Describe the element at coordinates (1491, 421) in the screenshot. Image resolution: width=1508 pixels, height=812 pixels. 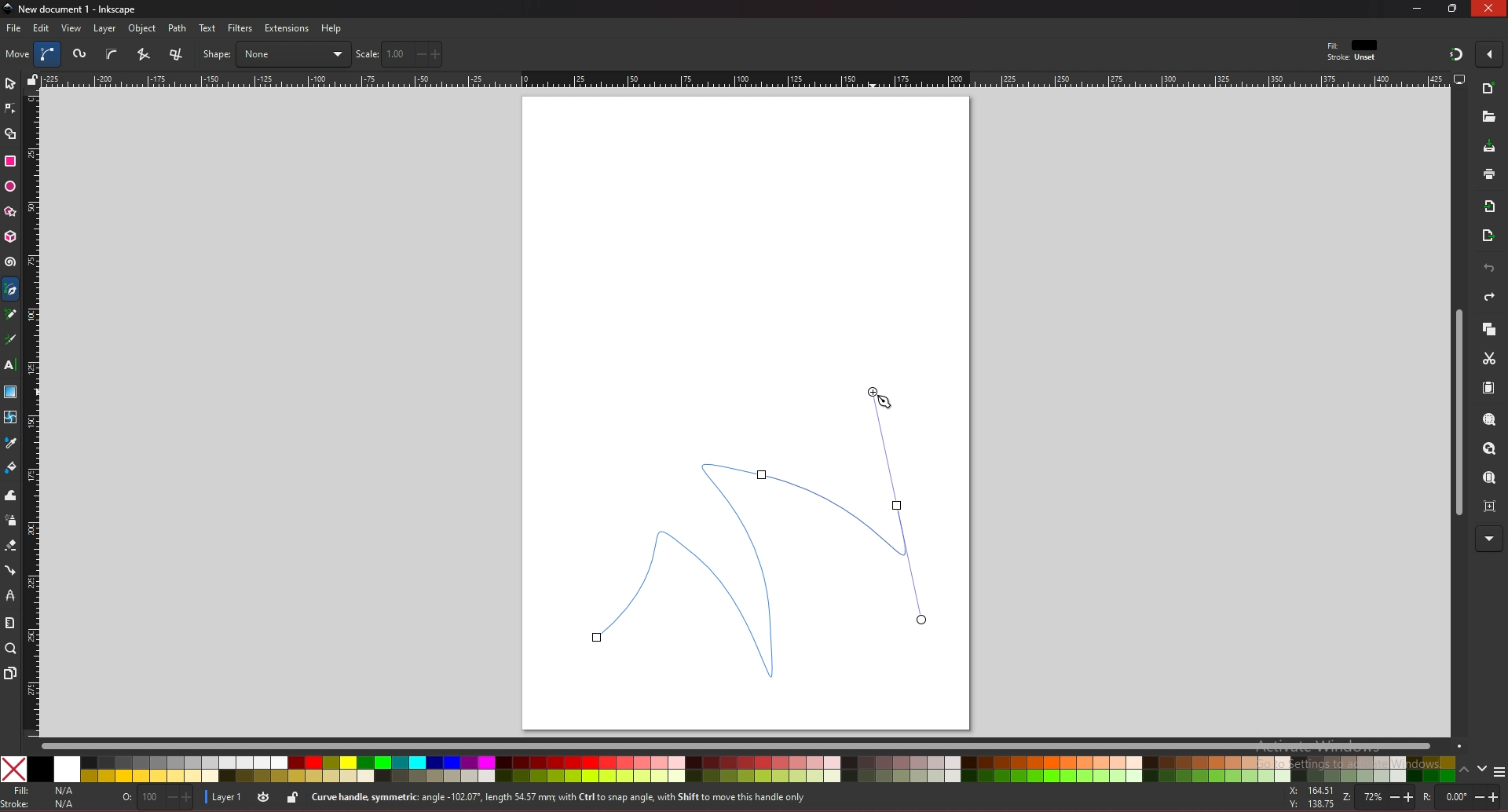
I see `zoom selection` at that location.